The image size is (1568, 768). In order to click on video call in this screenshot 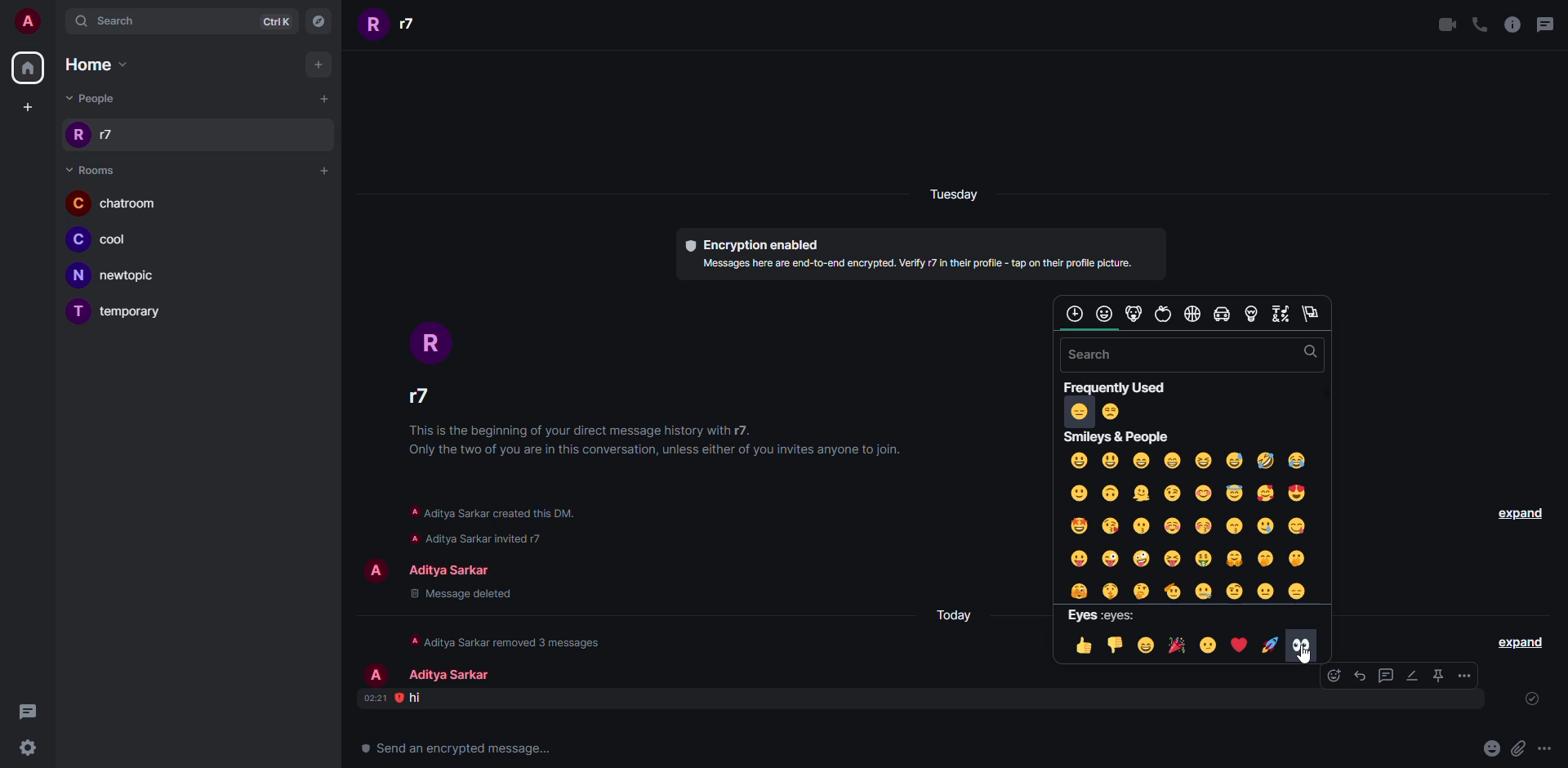, I will do `click(1447, 24)`.